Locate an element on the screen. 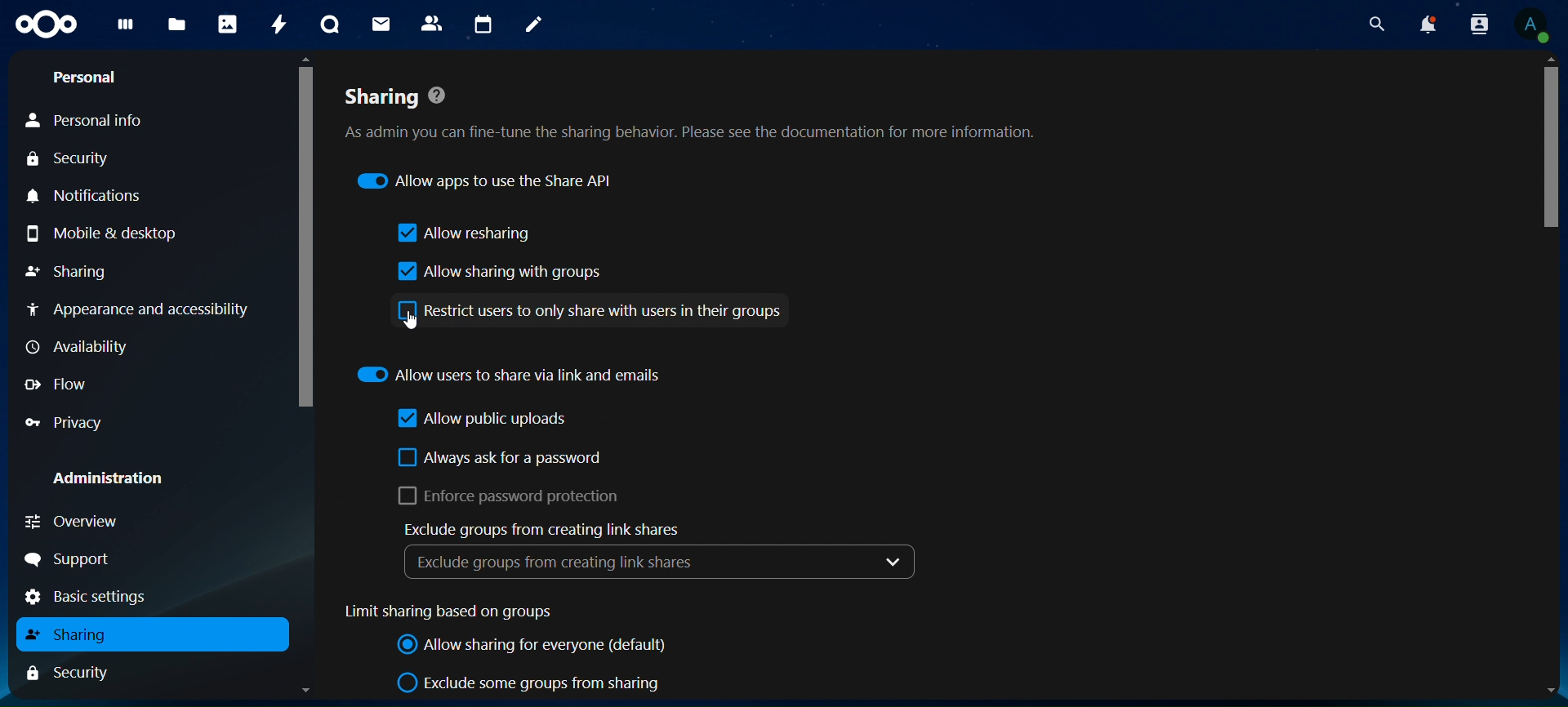 Image resolution: width=1568 pixels, height=707 pixels. photos is located at coordinates (227, 24).